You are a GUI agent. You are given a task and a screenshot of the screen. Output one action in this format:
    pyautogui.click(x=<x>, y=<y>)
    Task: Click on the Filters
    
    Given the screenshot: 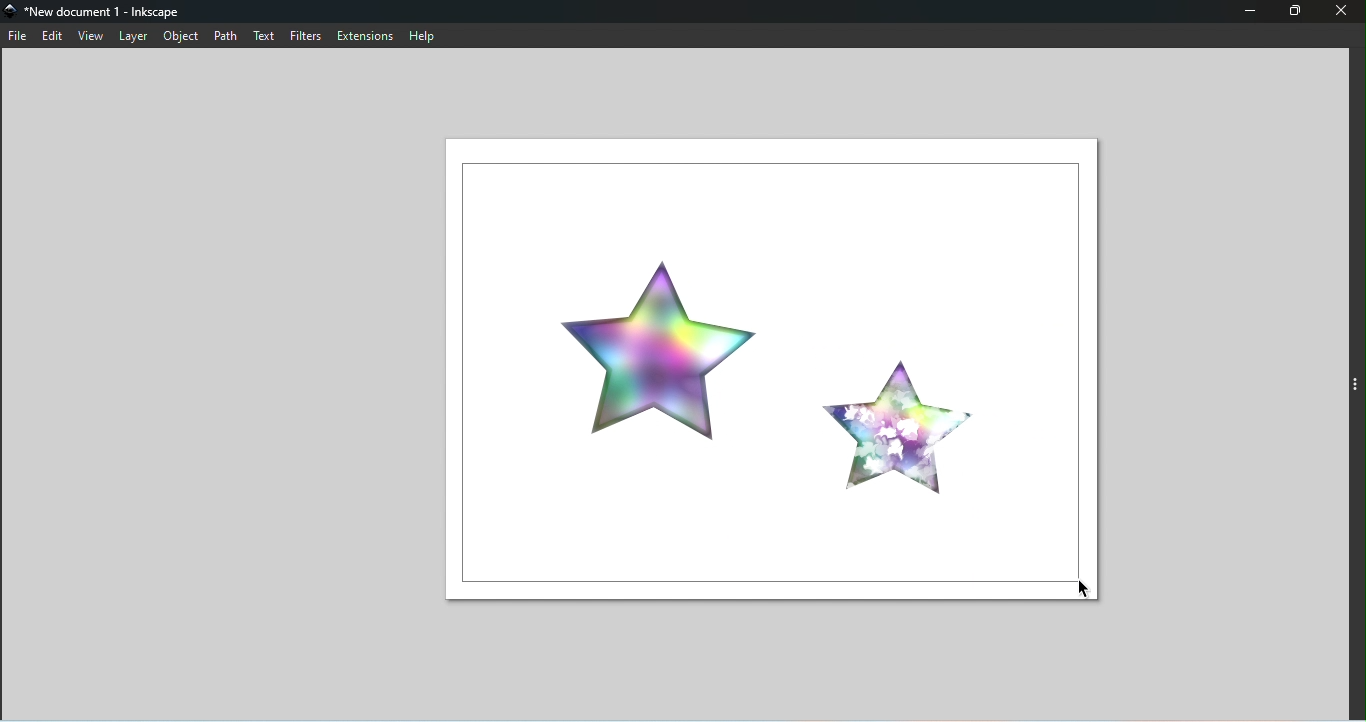 What is the action you would take?
    pyautogui.click(x=307, y=35)
    